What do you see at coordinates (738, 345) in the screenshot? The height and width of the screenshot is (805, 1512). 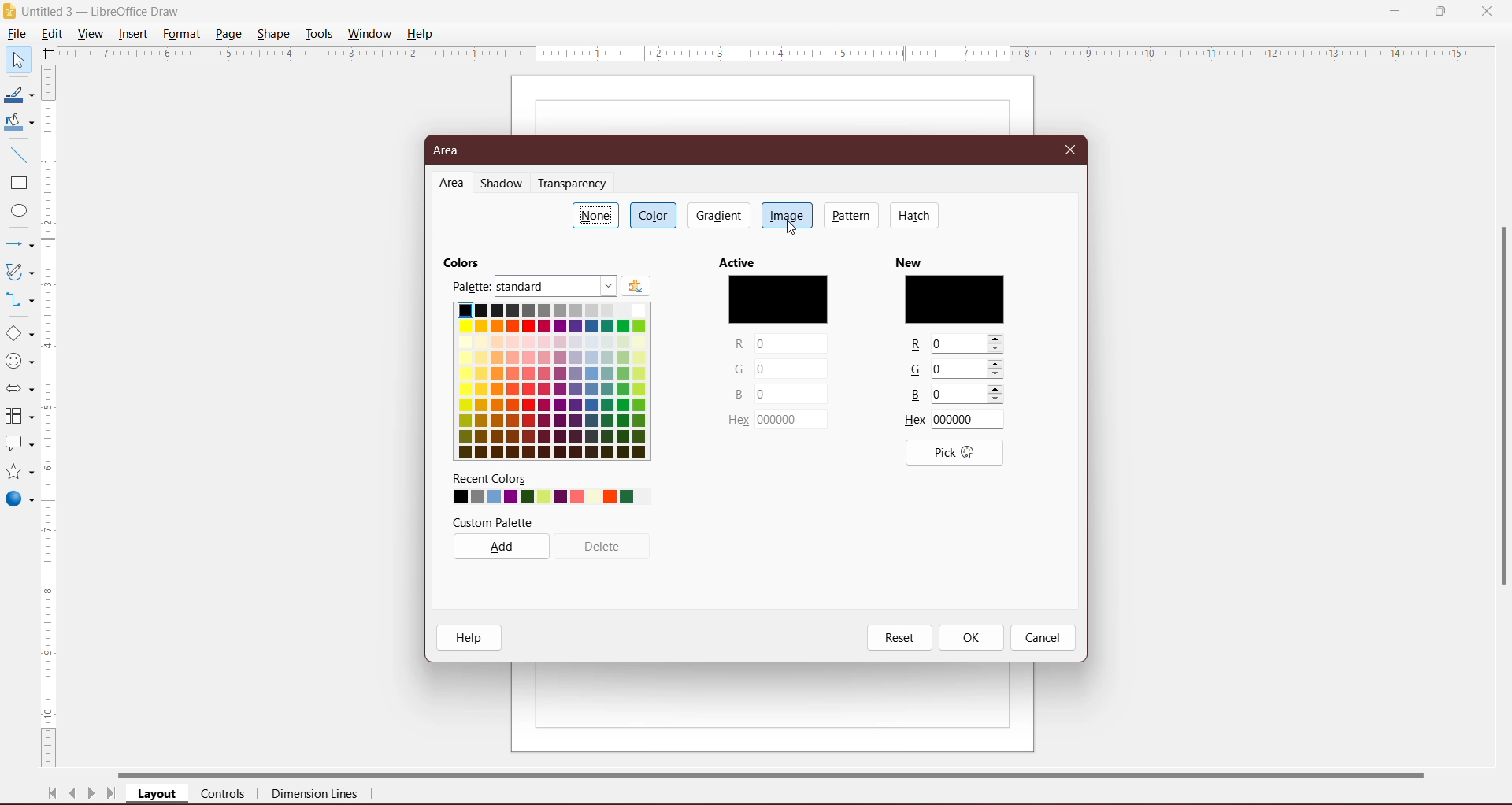 I see `R` at bounding box center [738, 345].